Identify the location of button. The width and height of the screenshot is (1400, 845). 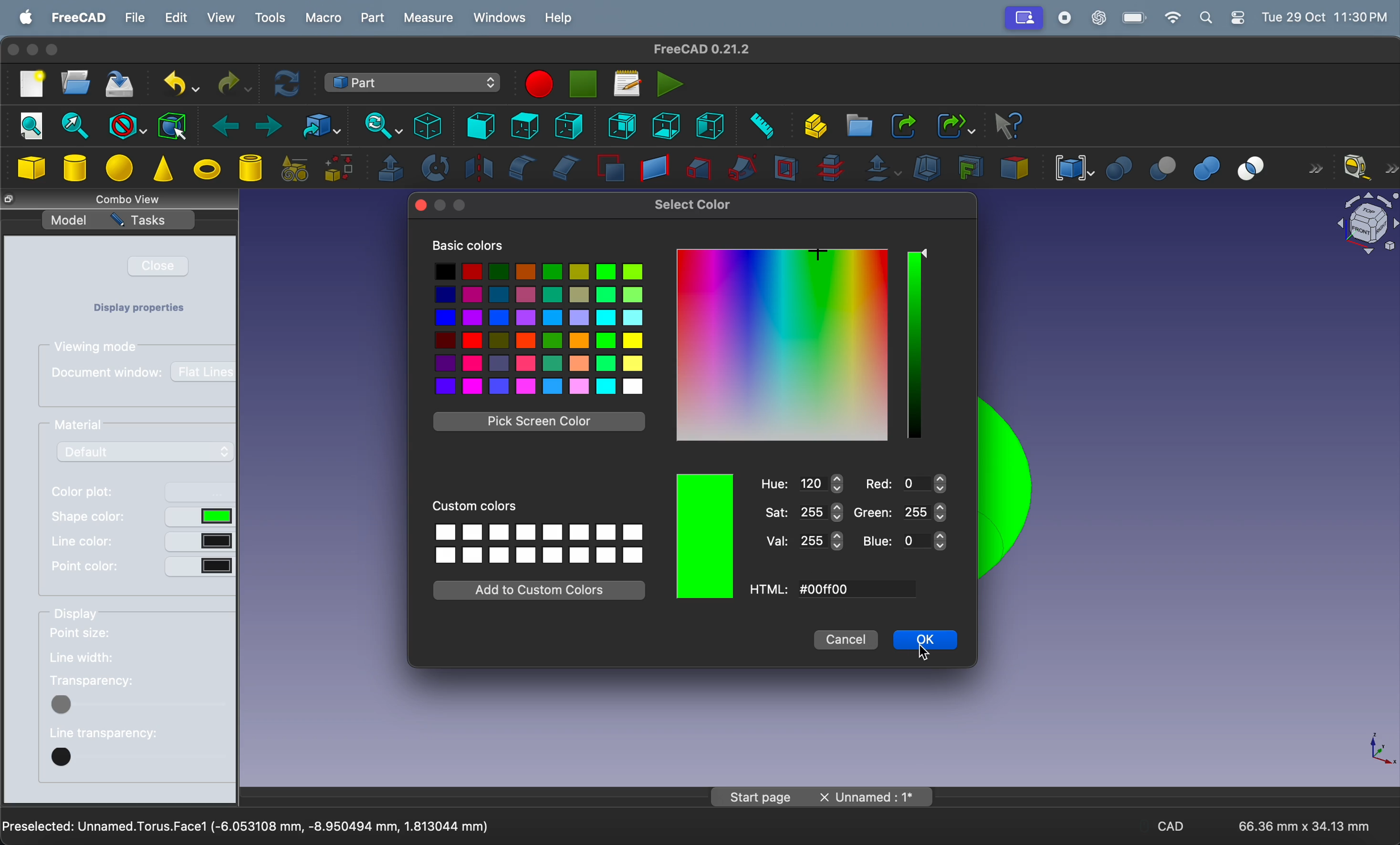
(928, 255).